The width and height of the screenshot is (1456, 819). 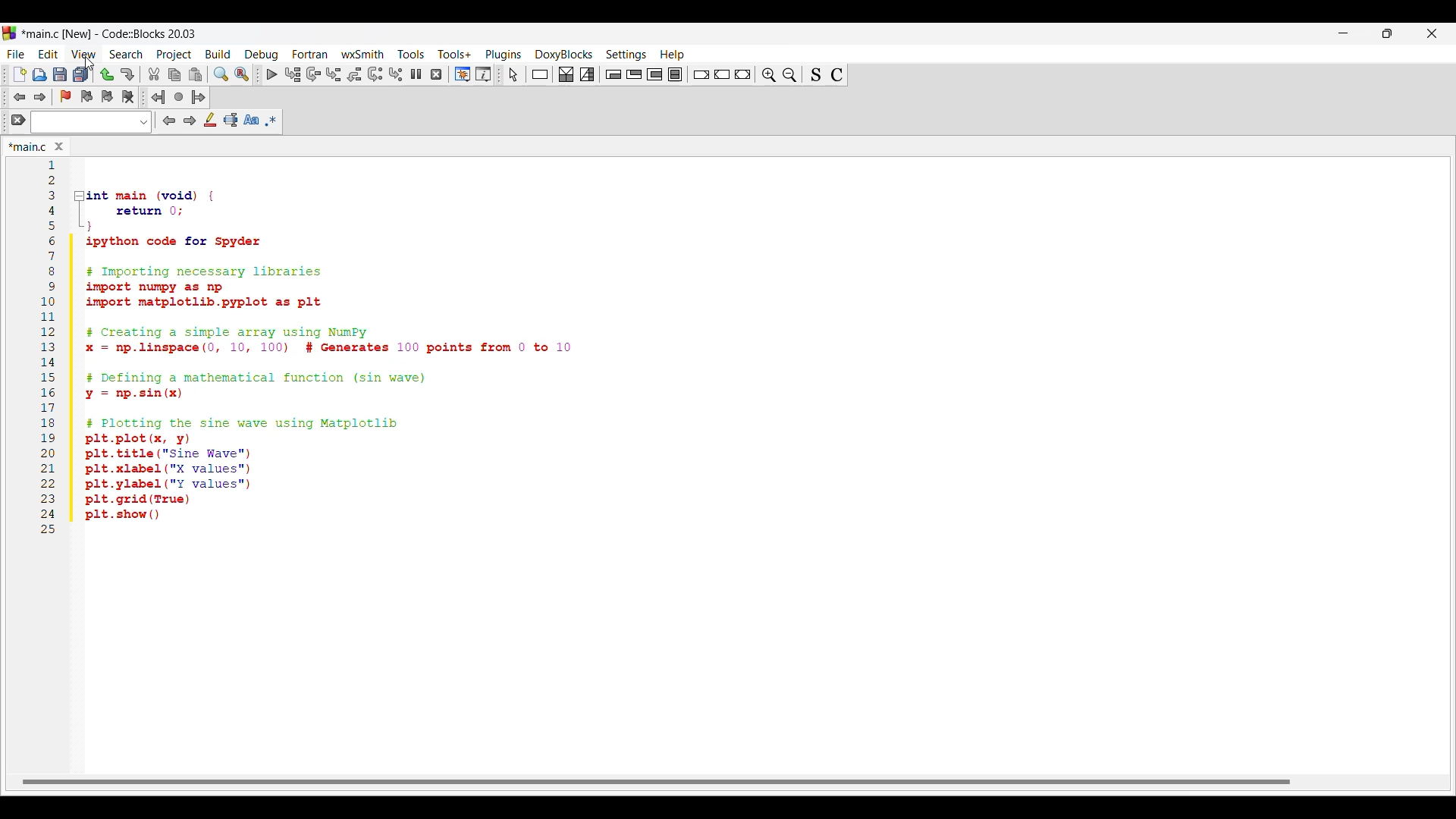 I want to click on Close, so click(x=59, y=146).